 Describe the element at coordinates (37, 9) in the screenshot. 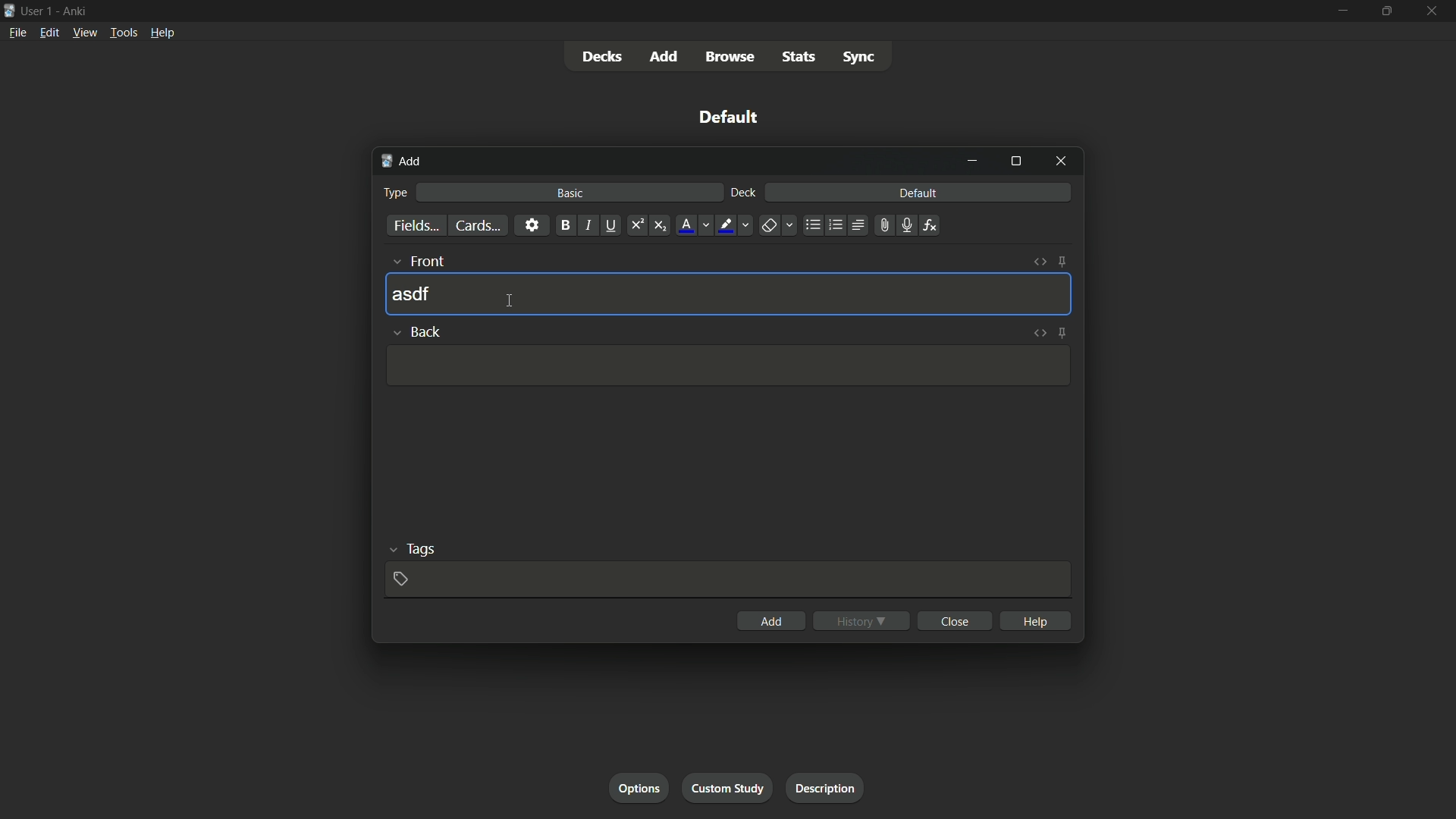

I see `user-1` at that location.